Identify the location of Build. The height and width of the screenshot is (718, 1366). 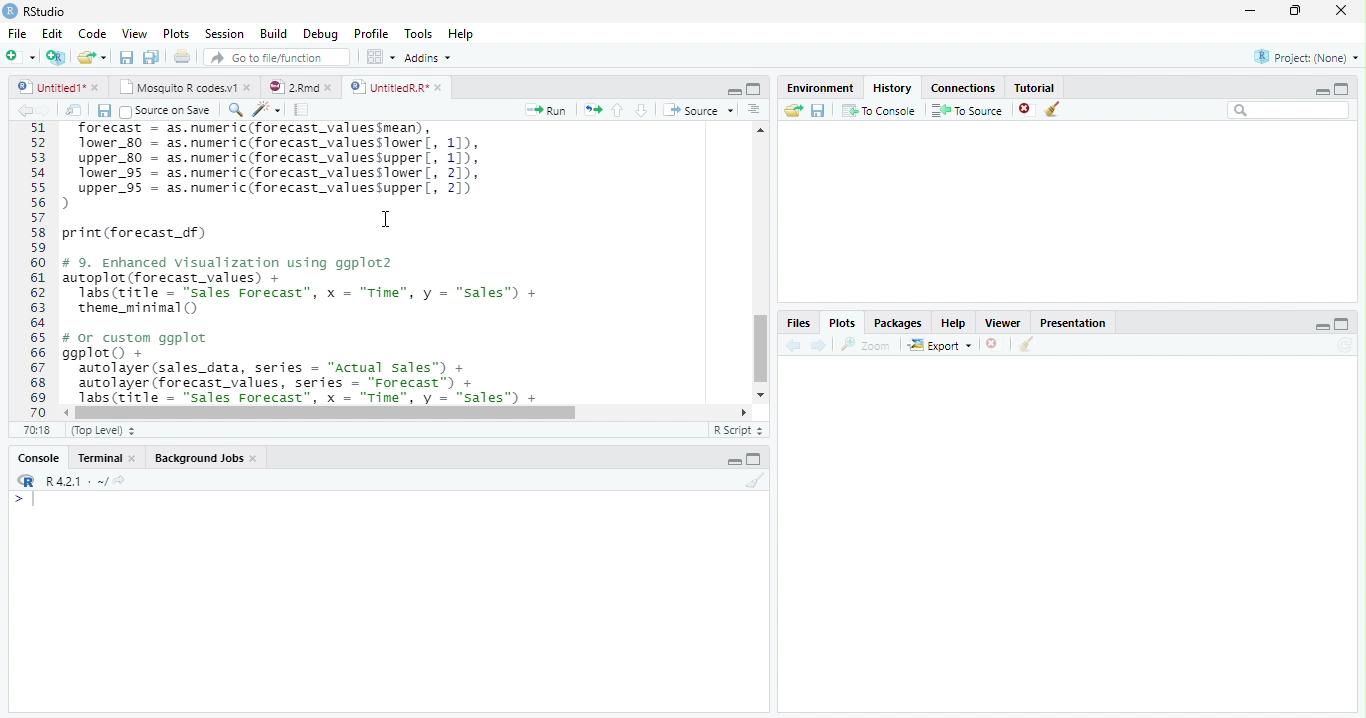
(274, 33).